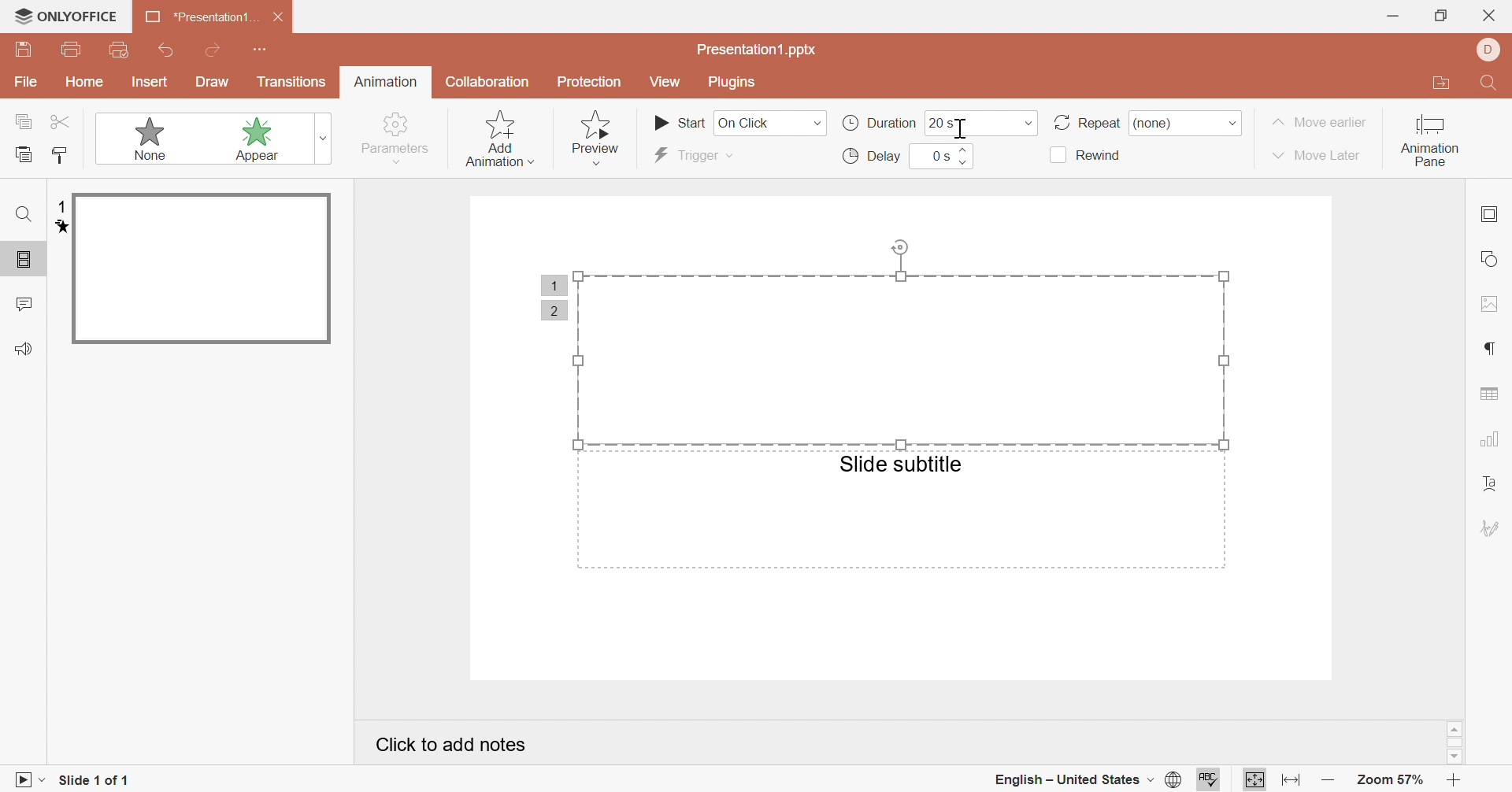 The height and width of the screenshot is (792, 1512). I want to click on minimize, so click(1394, 17).